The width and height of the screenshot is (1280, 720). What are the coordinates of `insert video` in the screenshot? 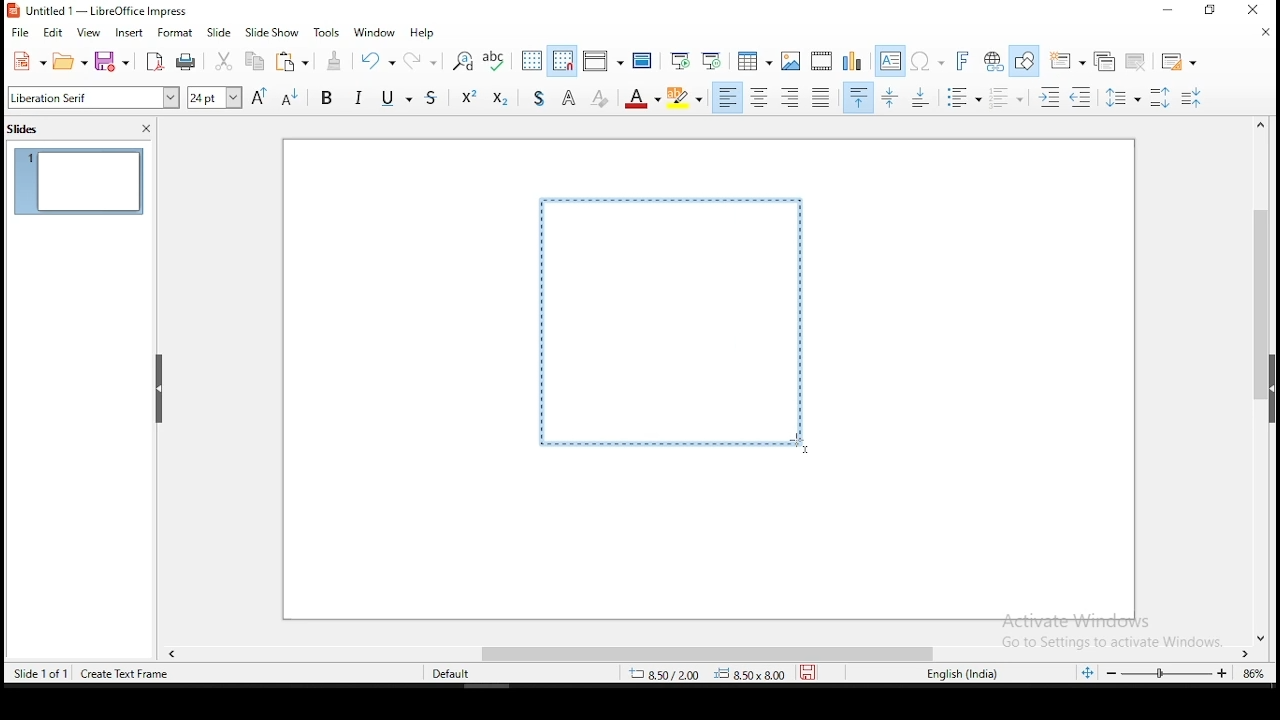 It's located at (820, 62).